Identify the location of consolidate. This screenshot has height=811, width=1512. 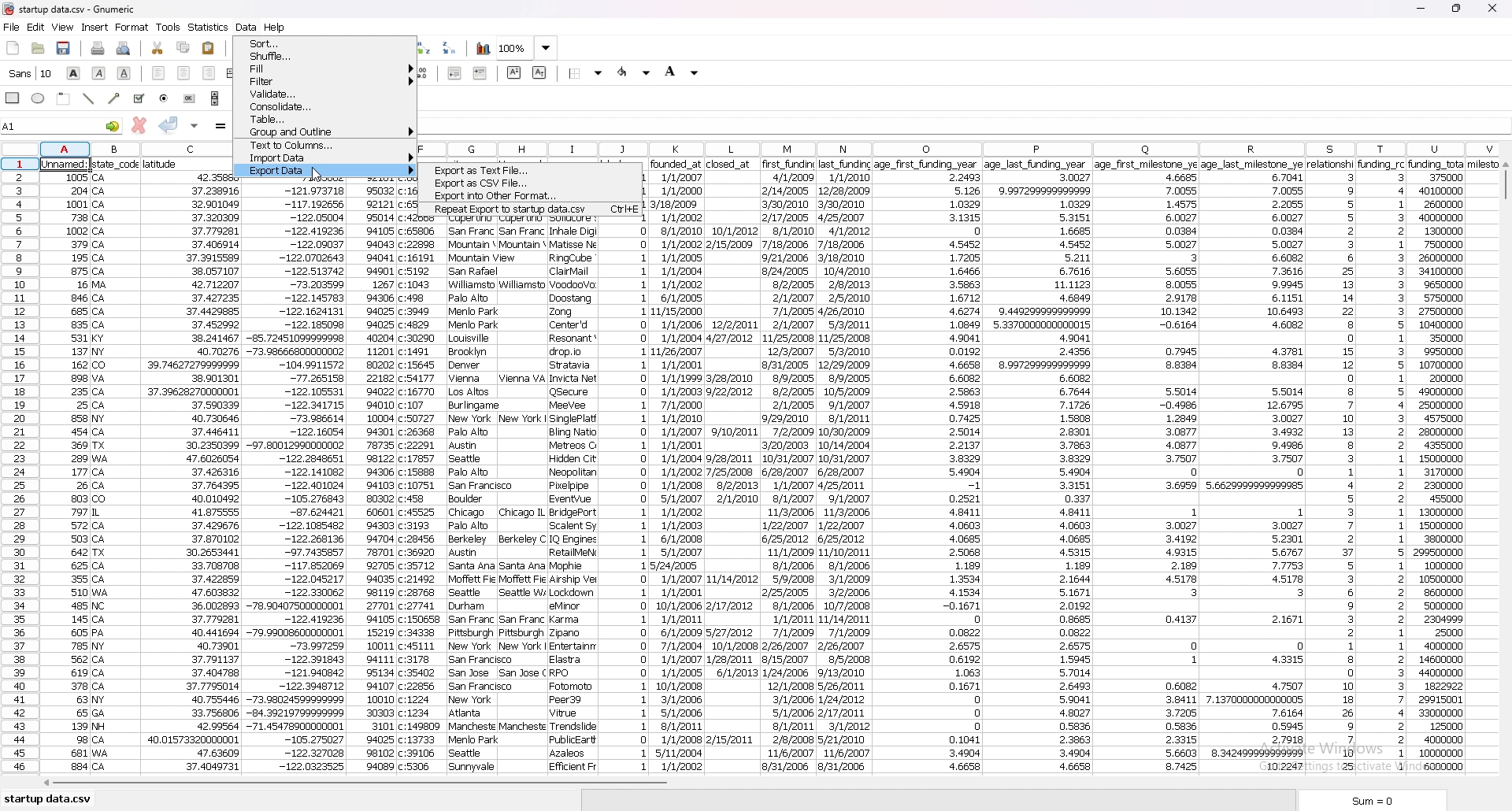
(326, 106).